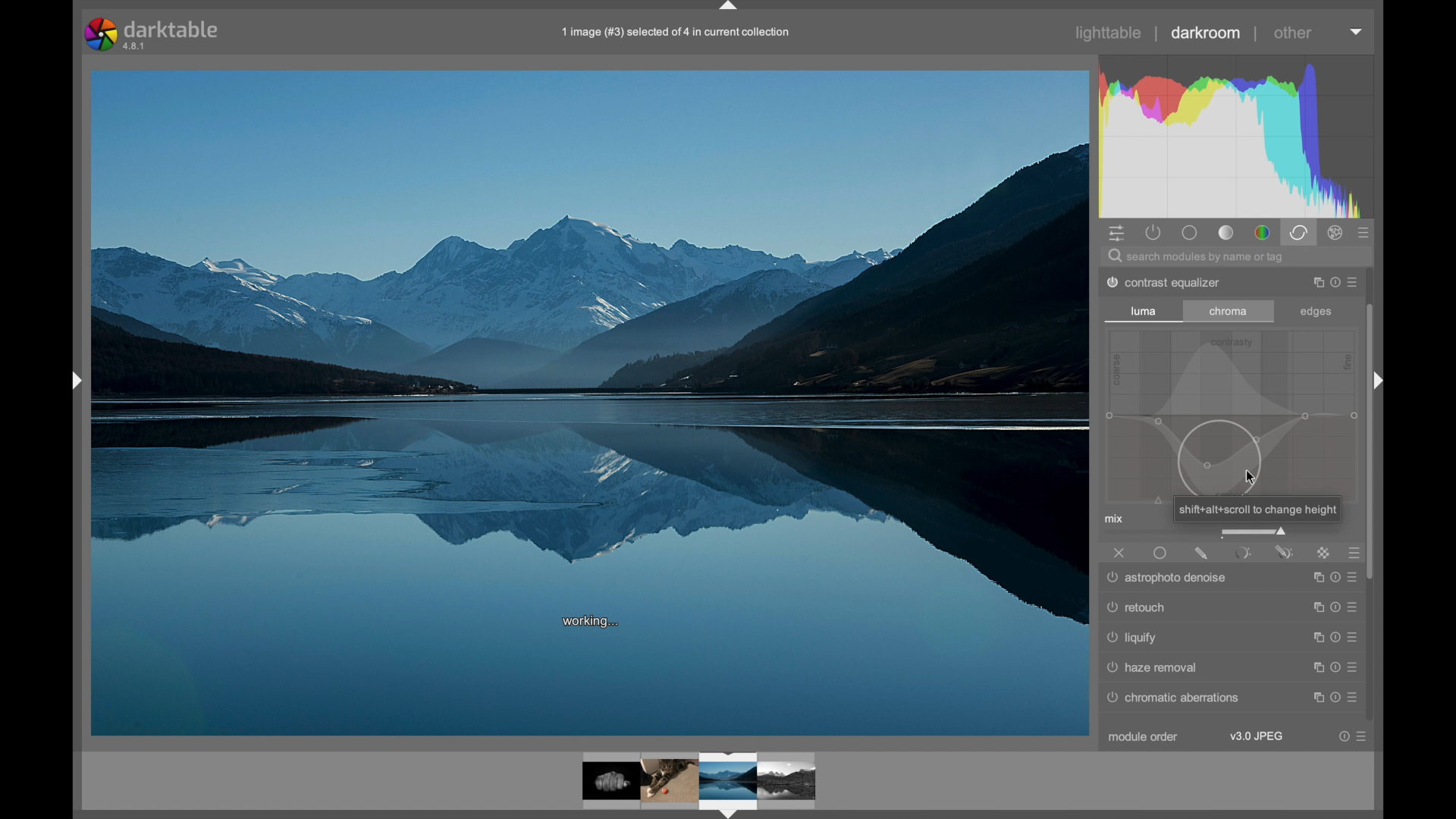 This screenshot has height=819, width=1456. What do you see at coordinates (1119, 553) in the screenshot?
I see `off` at bounding box center [1119, 553].